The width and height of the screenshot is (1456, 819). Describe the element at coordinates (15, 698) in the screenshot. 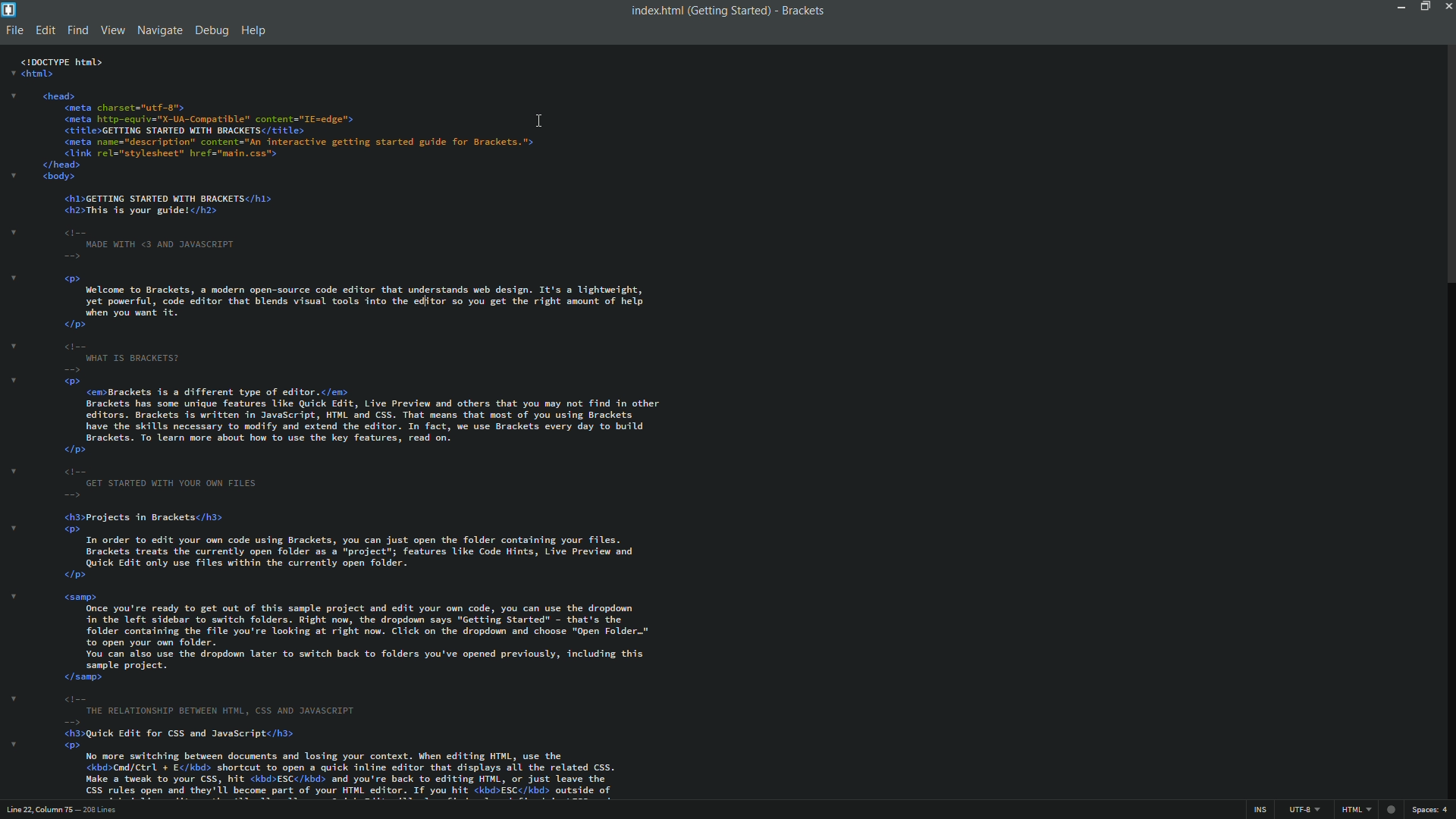

I see `dropdown` at that location.